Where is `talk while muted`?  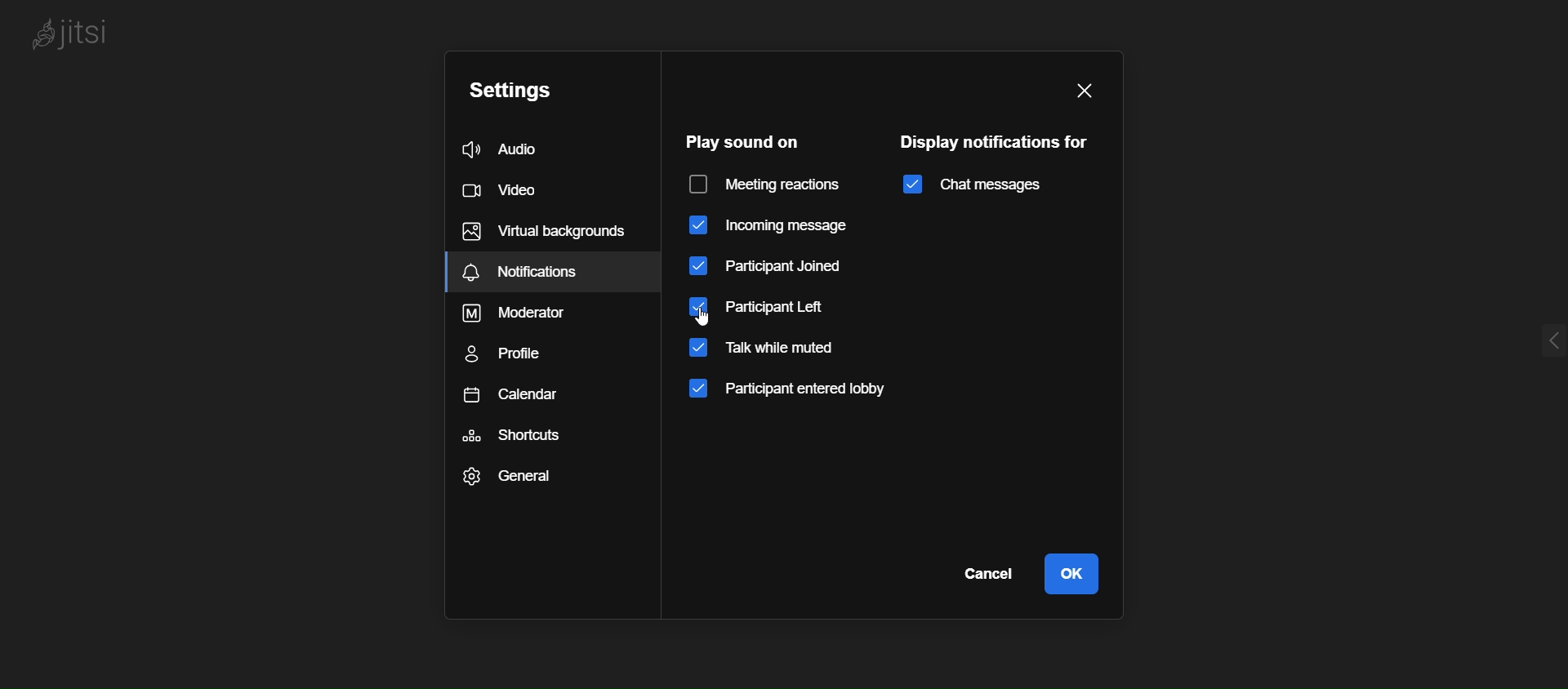 talk while muted is located at coordinates (772, 349).